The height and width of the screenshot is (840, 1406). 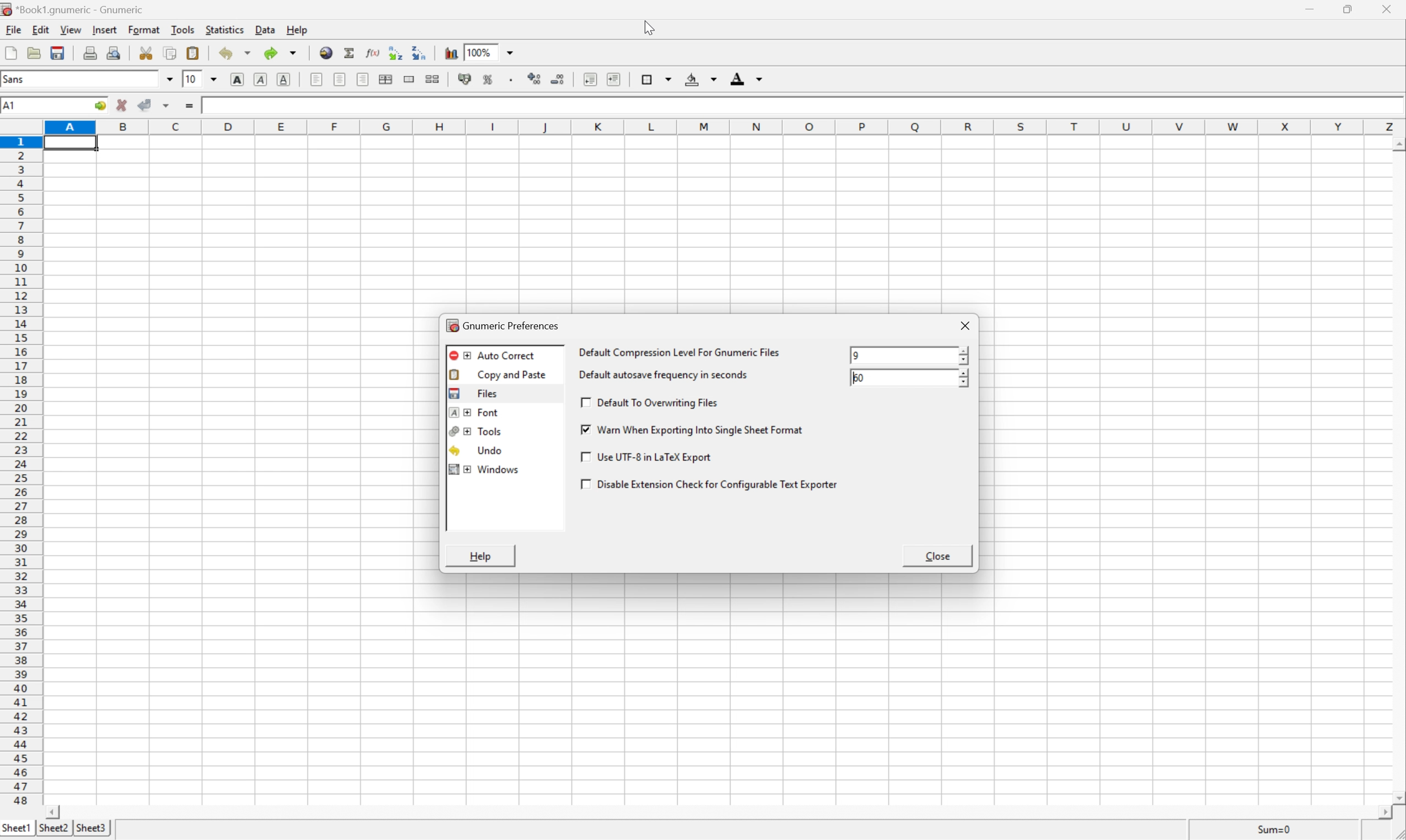 I want to click on sum in current cell, so click(x=350, y=53).